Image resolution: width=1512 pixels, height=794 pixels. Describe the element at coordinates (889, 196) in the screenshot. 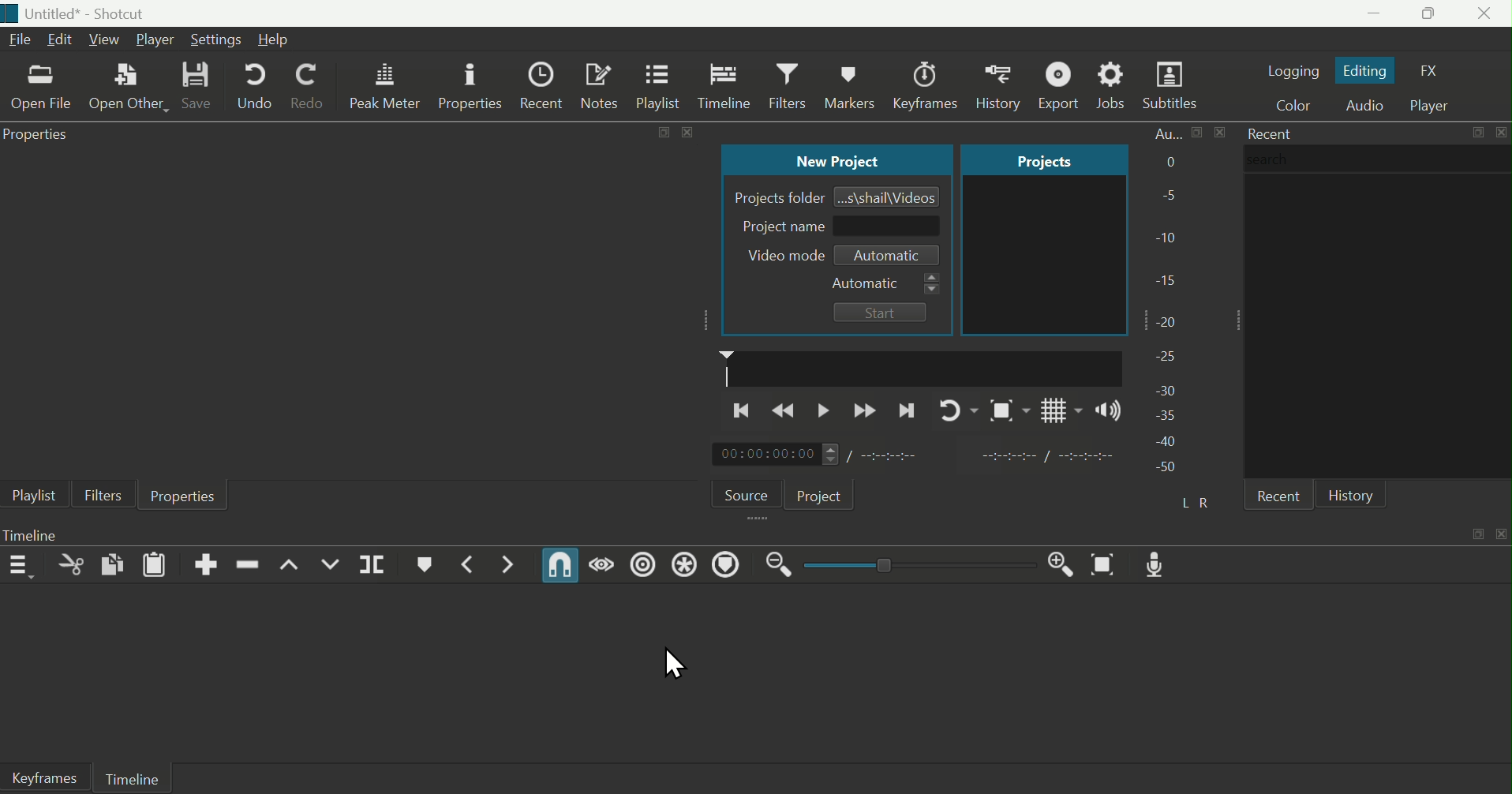

I see `...s\shail\Videos` at that location.